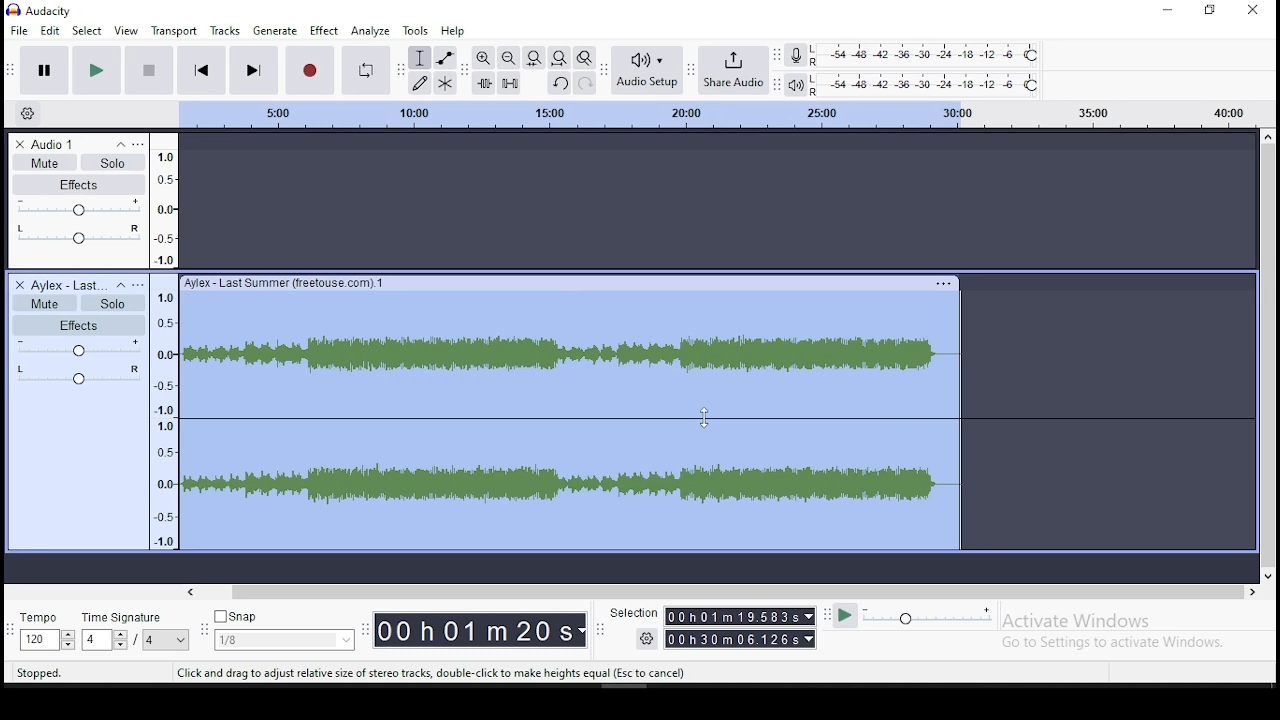  I want to click on delete track, so click(21, 143).